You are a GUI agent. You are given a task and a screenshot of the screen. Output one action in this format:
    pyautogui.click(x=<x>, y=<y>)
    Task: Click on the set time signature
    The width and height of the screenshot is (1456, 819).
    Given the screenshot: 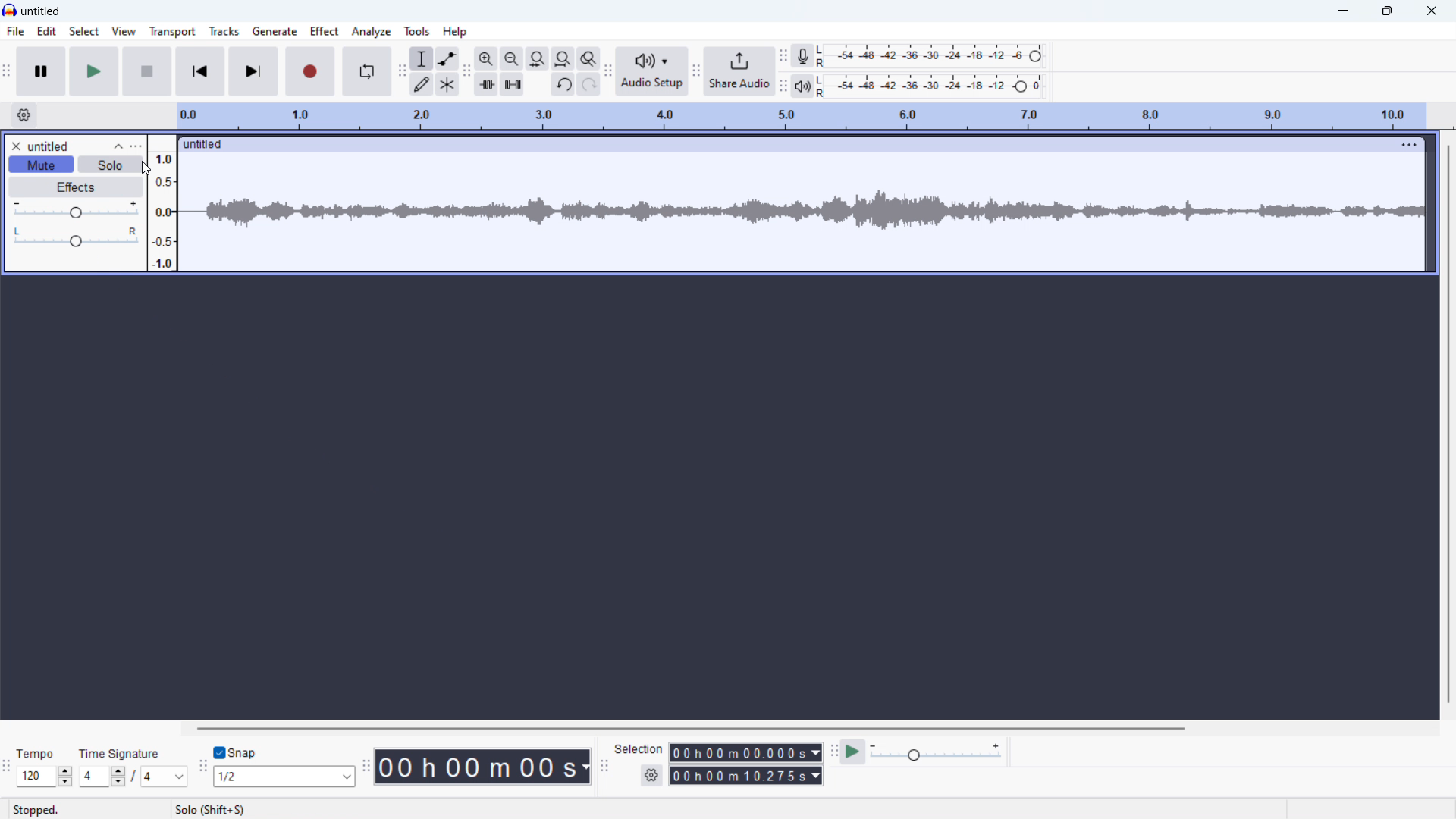 What is the action you would take?
    pyautogui.click(x=132, y=777)
    